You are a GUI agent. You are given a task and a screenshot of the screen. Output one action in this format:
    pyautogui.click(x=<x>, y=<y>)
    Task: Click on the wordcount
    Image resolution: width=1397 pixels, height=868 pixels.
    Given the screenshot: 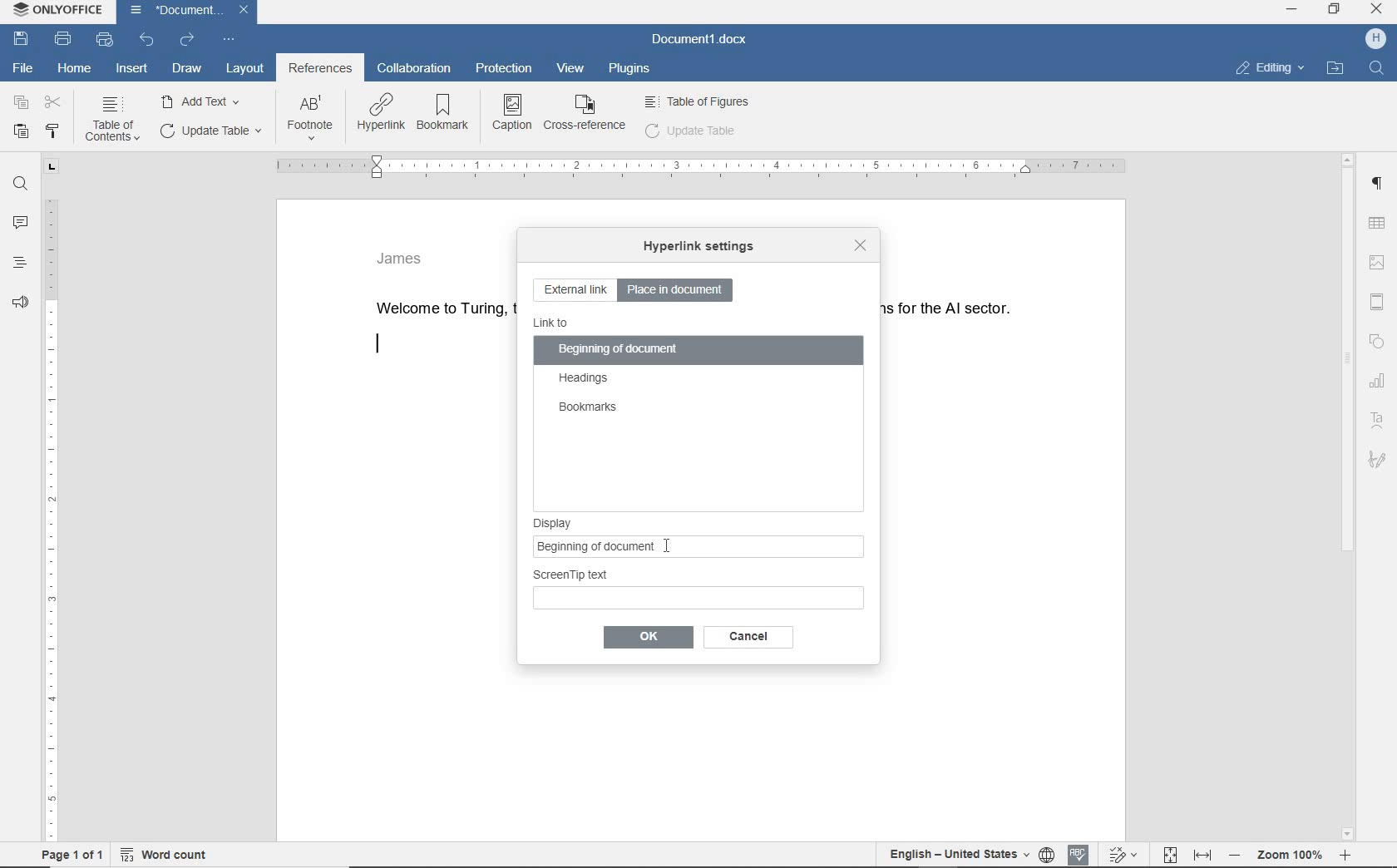 What is the action you would take?
    pyautogui.click(x=168, y=855)
    